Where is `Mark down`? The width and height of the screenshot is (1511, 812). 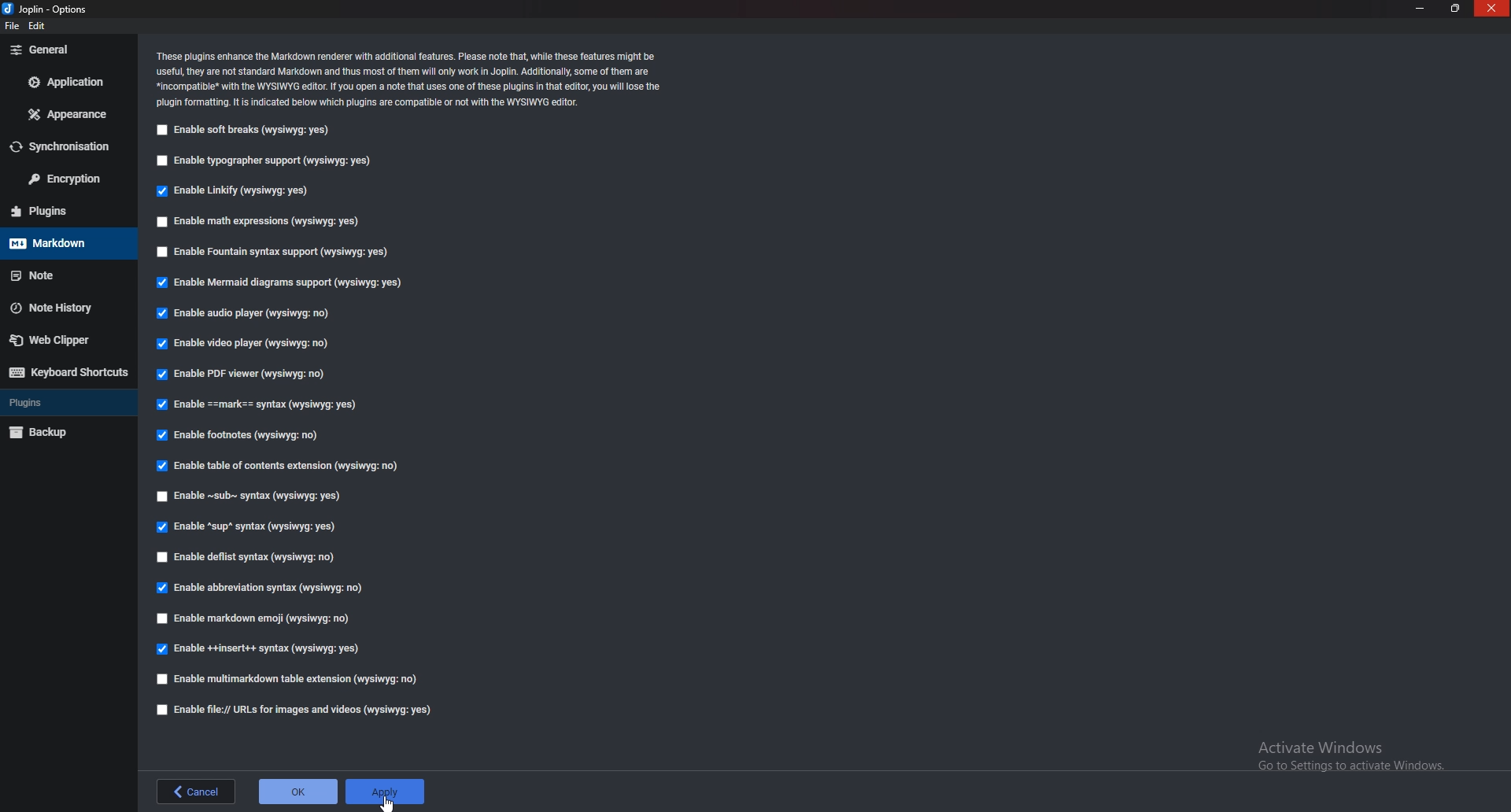
Mark down is located at coordinates (65, 244).